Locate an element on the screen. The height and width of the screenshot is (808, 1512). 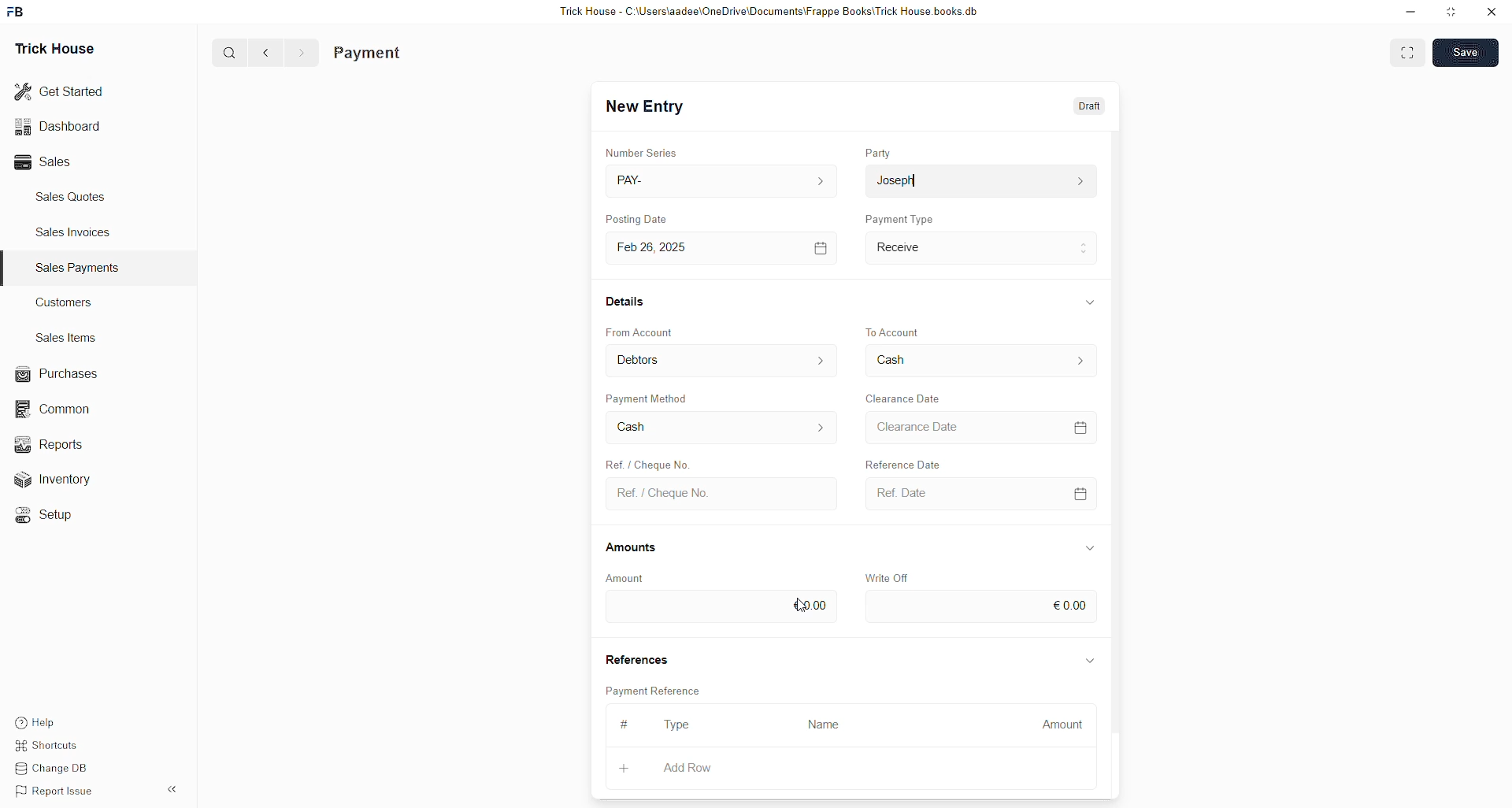
€0.00 is located at coordinates (720, 607).